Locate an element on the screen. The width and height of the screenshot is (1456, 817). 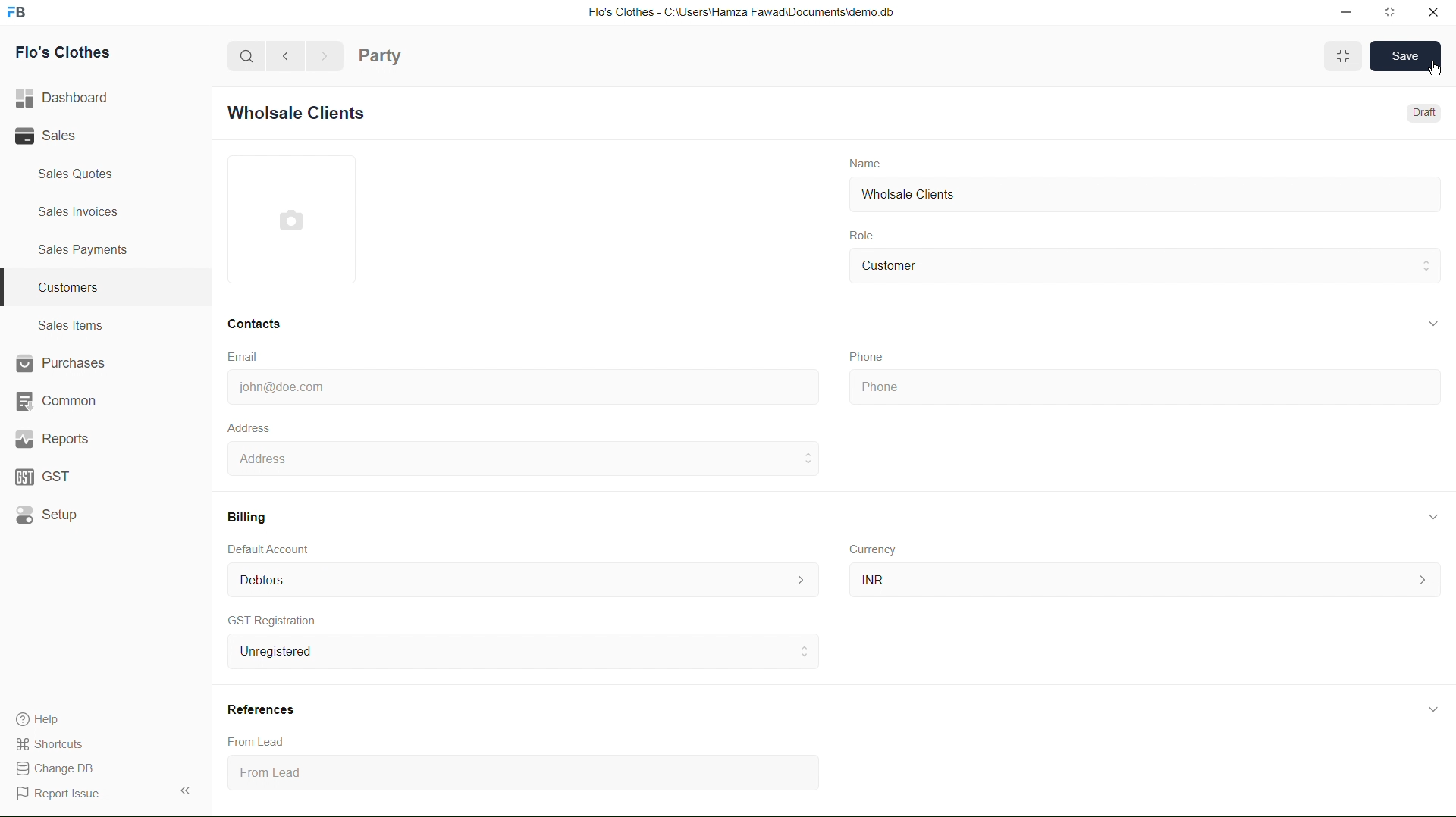
Default Account is located at coordinates (273, 549).